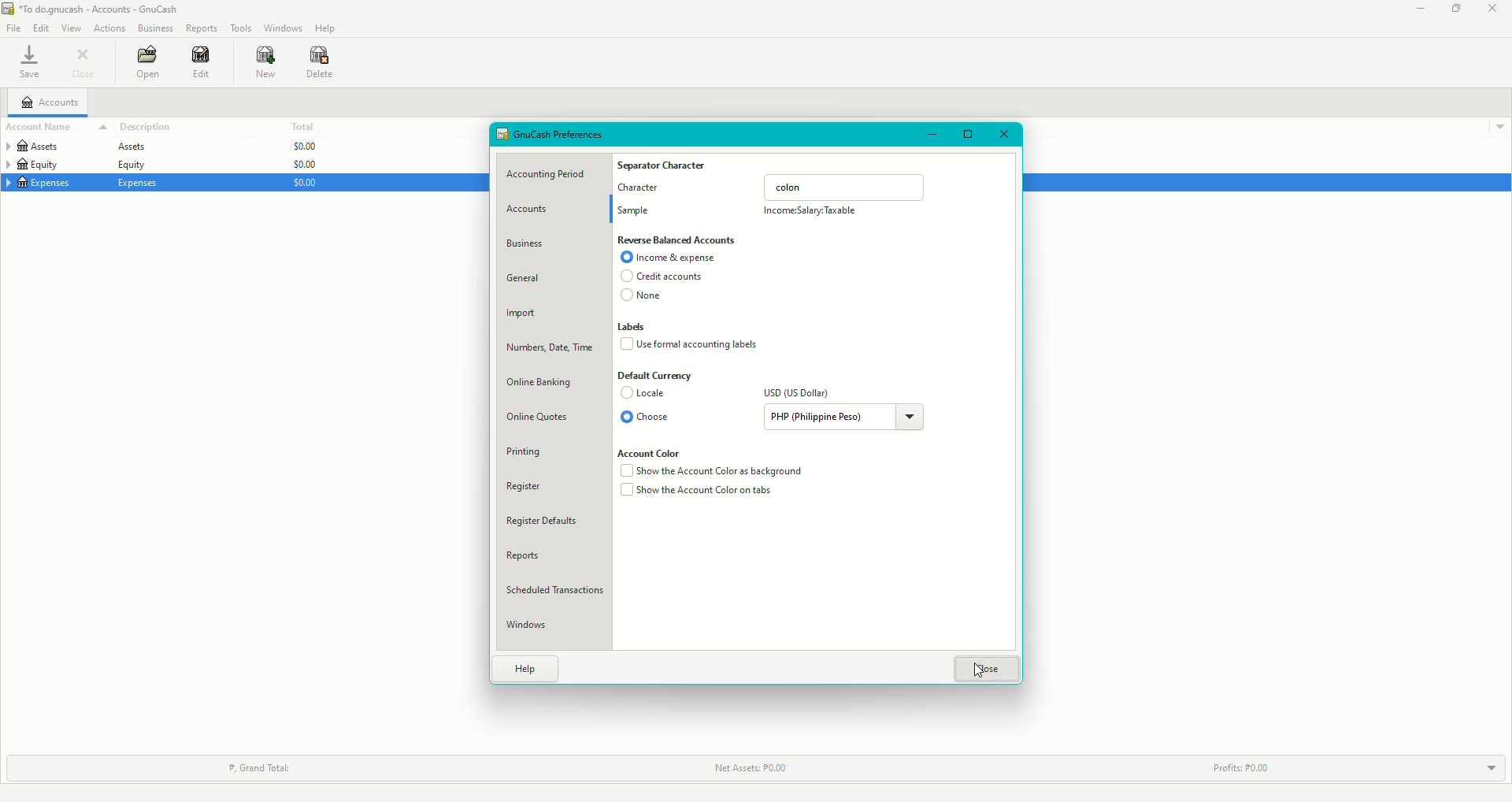 The width and height of the screenshot is (1512, 802). Describe the element at coordinates (660, 277) in the screenshot. I see `Credit accounts` at that location.